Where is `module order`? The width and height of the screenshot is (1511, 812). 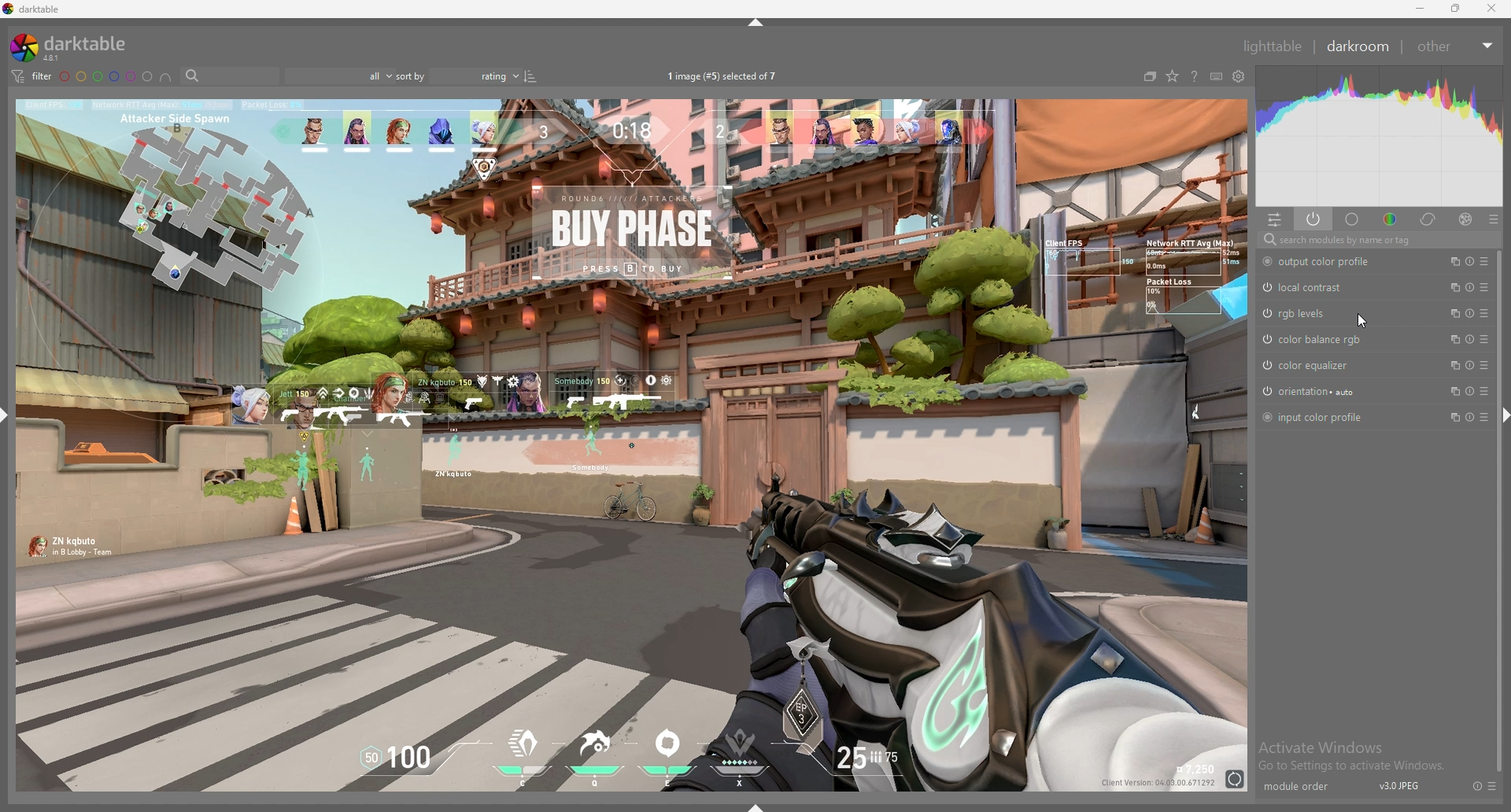
module order is located at coordinates (1295, 788).